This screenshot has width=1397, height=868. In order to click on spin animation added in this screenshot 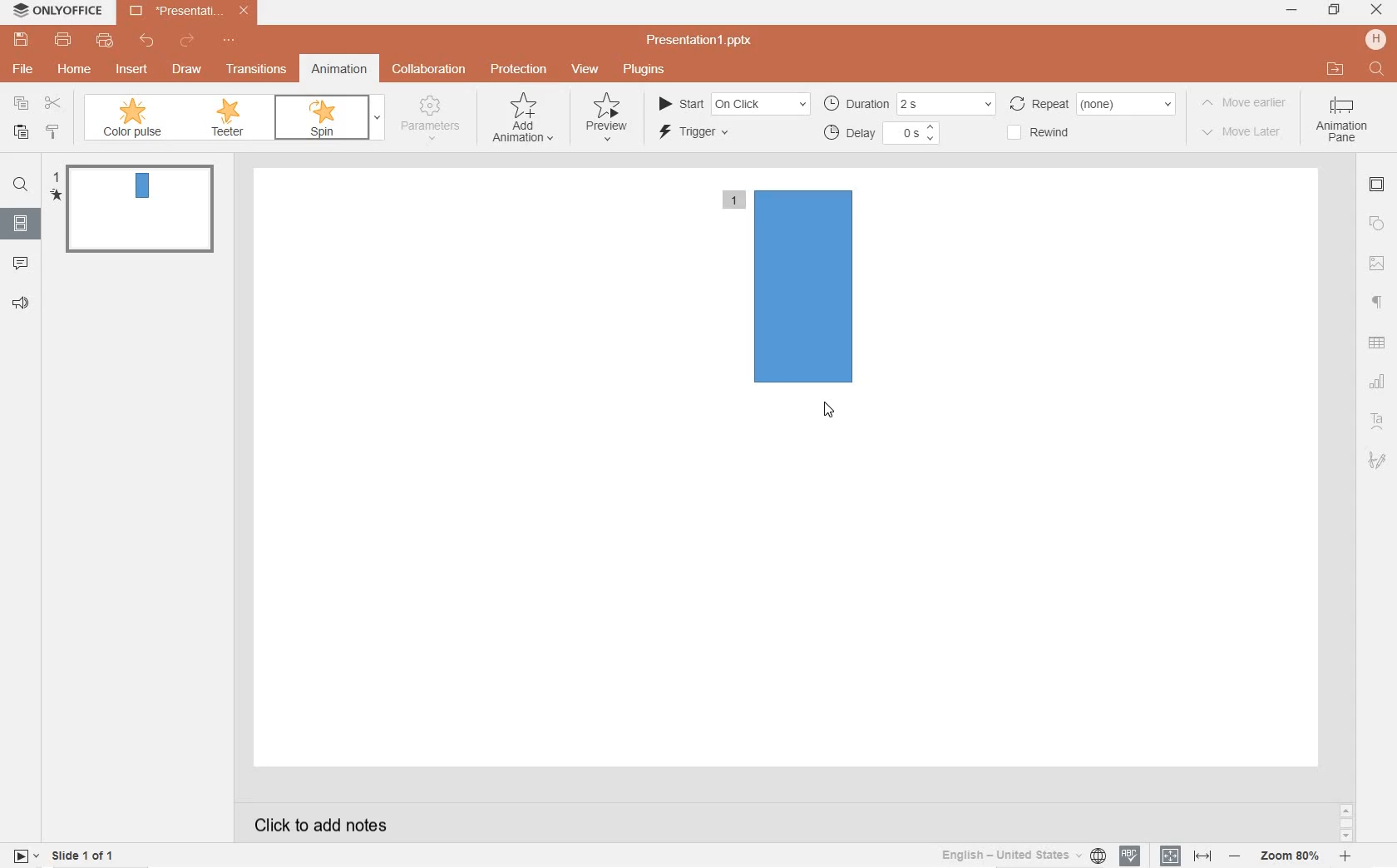, I will do `click(792, 284)`.